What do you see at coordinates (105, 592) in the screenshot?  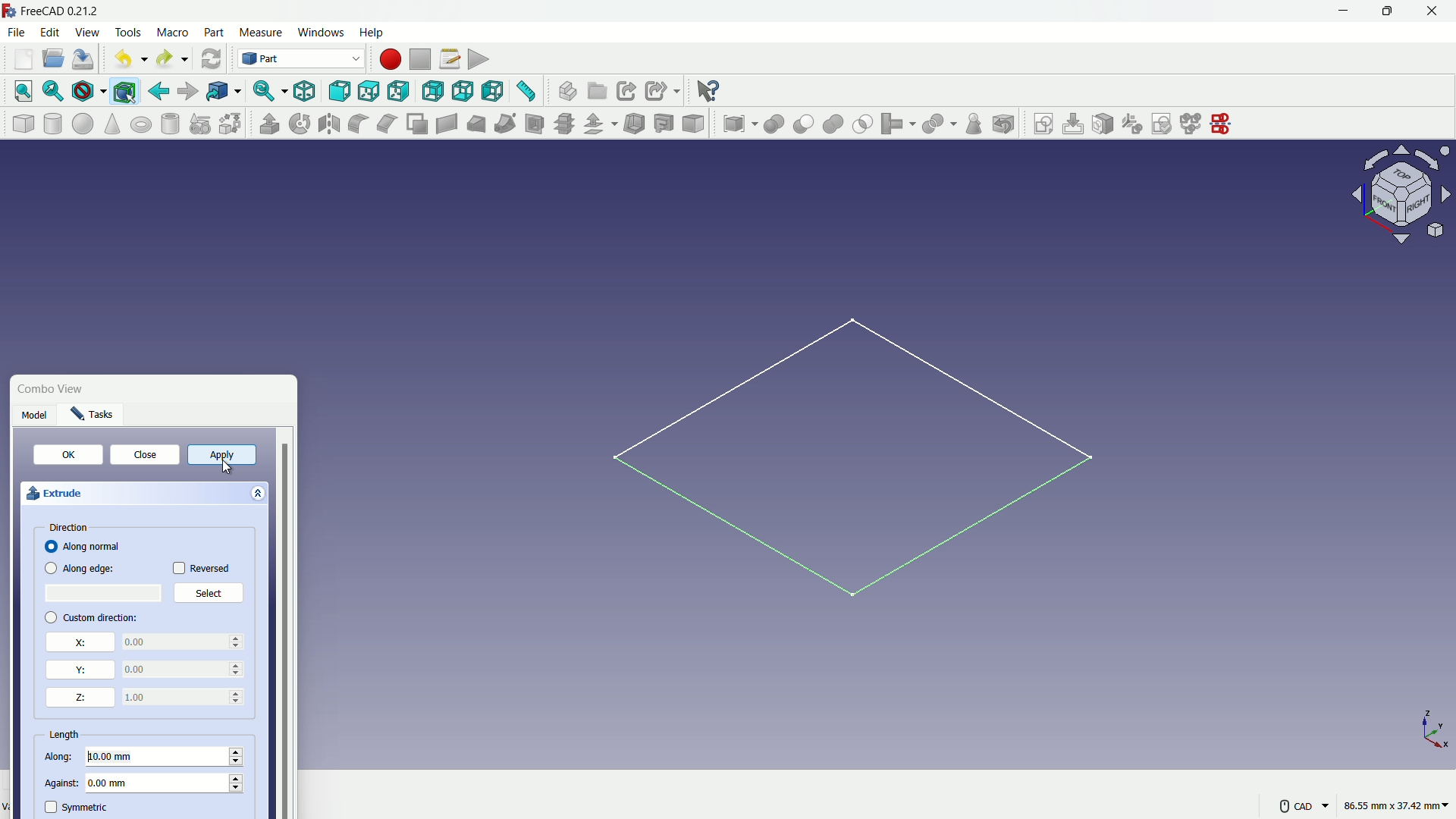 I see `select place` at bounding box center [105, 592].